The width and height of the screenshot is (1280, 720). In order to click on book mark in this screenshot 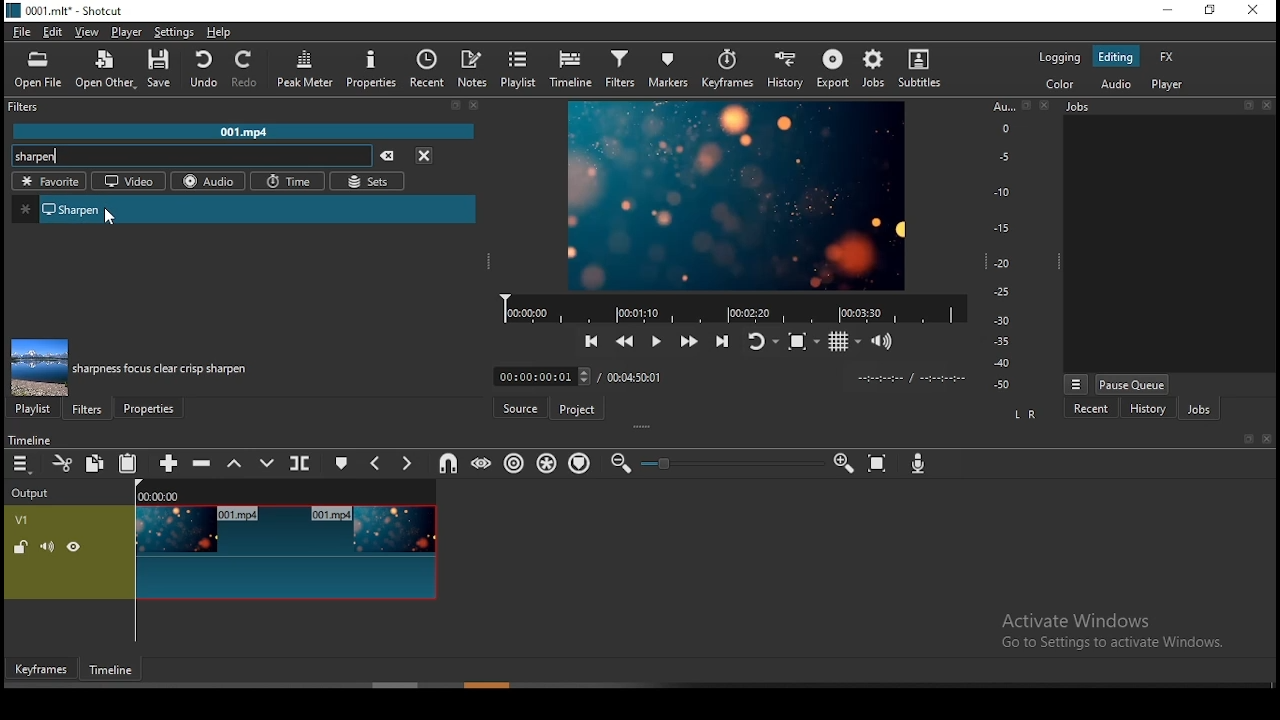, I will do `click(1247, 440)`.